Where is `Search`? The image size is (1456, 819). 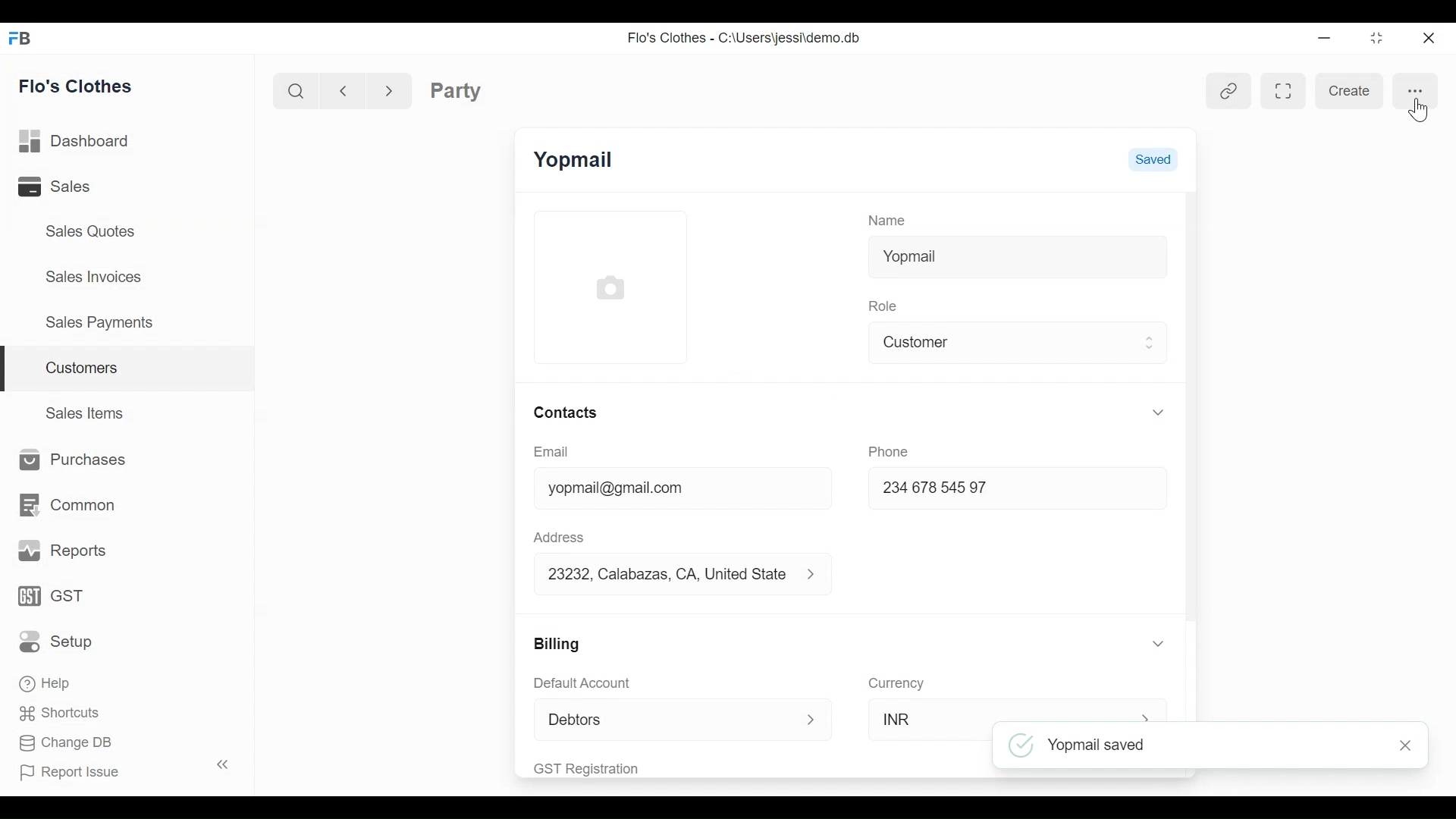
Search is located at coordinates (299, 90).